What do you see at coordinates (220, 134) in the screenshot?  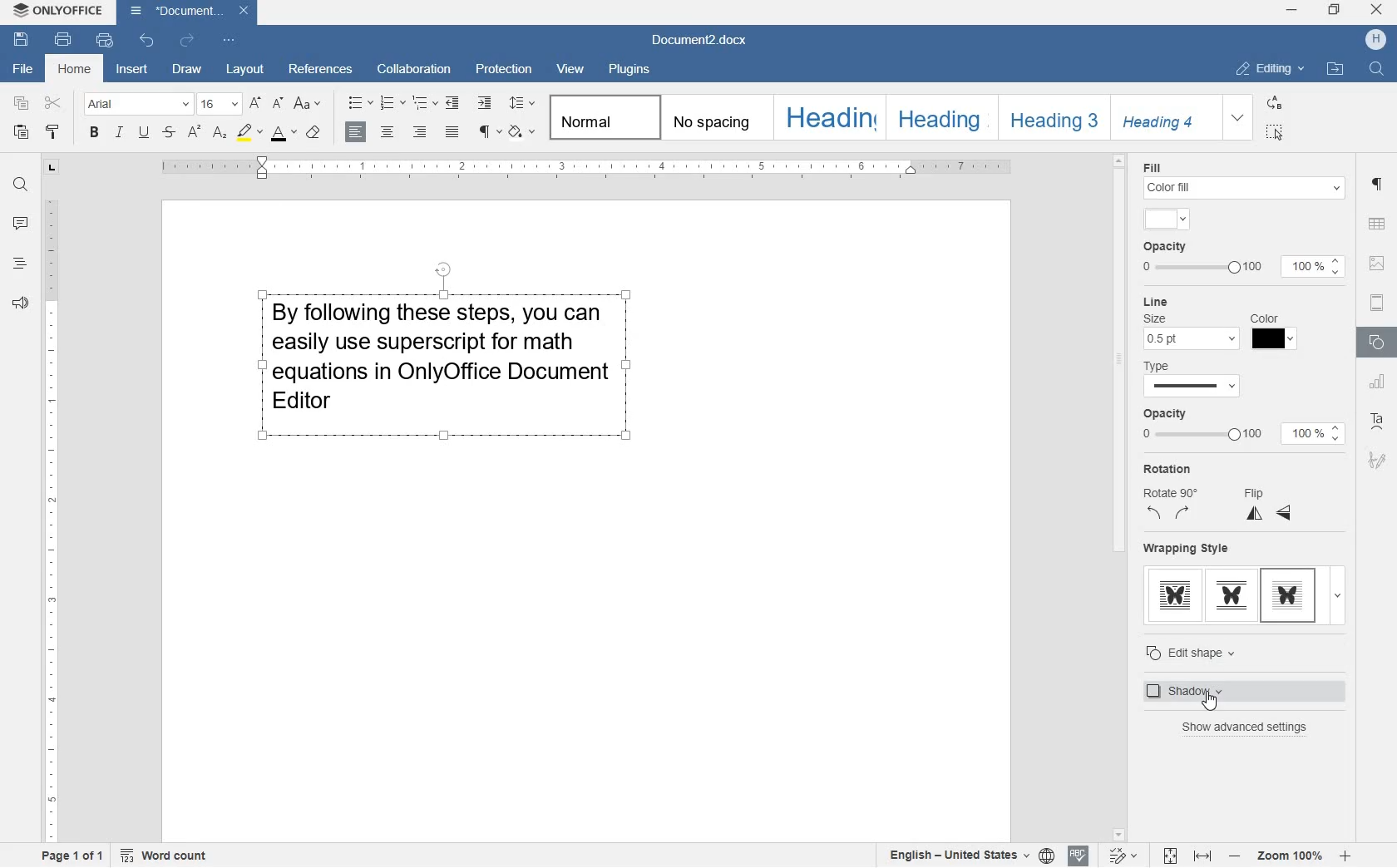 I see `subscript` at bounding box center [220, 134].